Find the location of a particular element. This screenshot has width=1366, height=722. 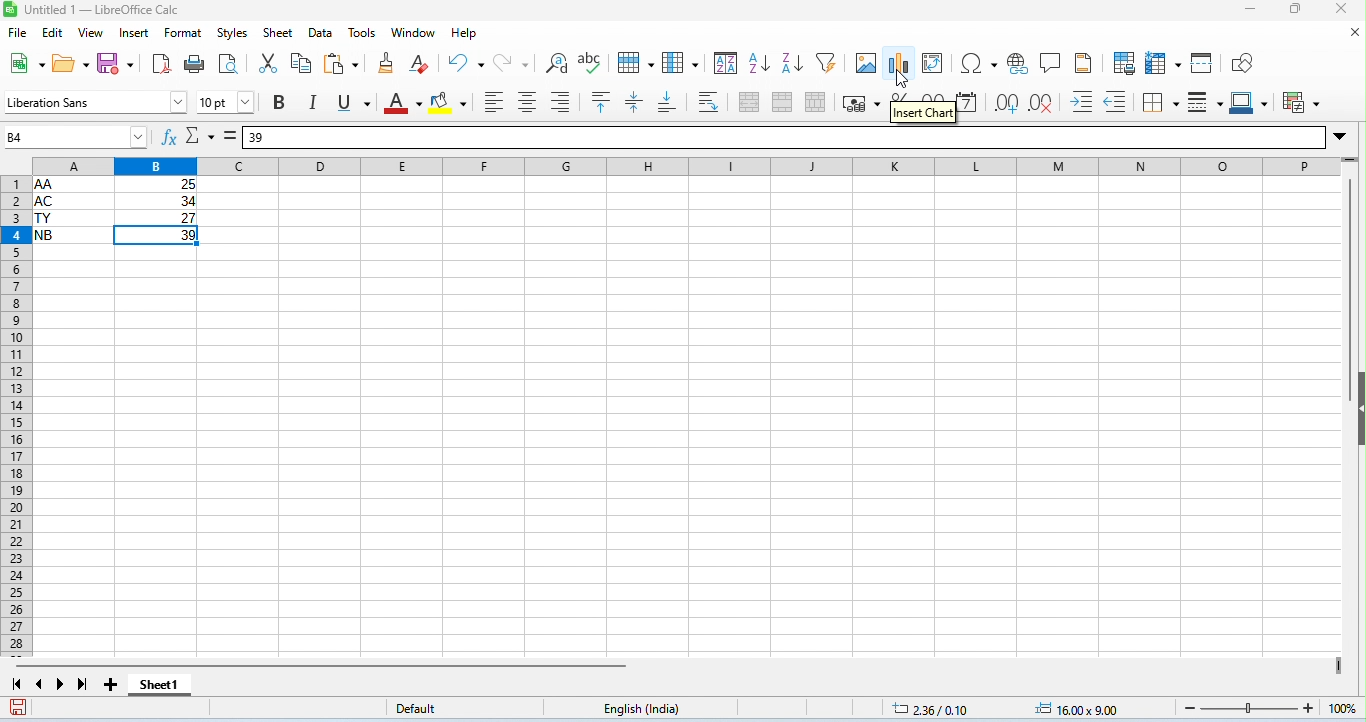

font size is located at coordinates (227, 104).